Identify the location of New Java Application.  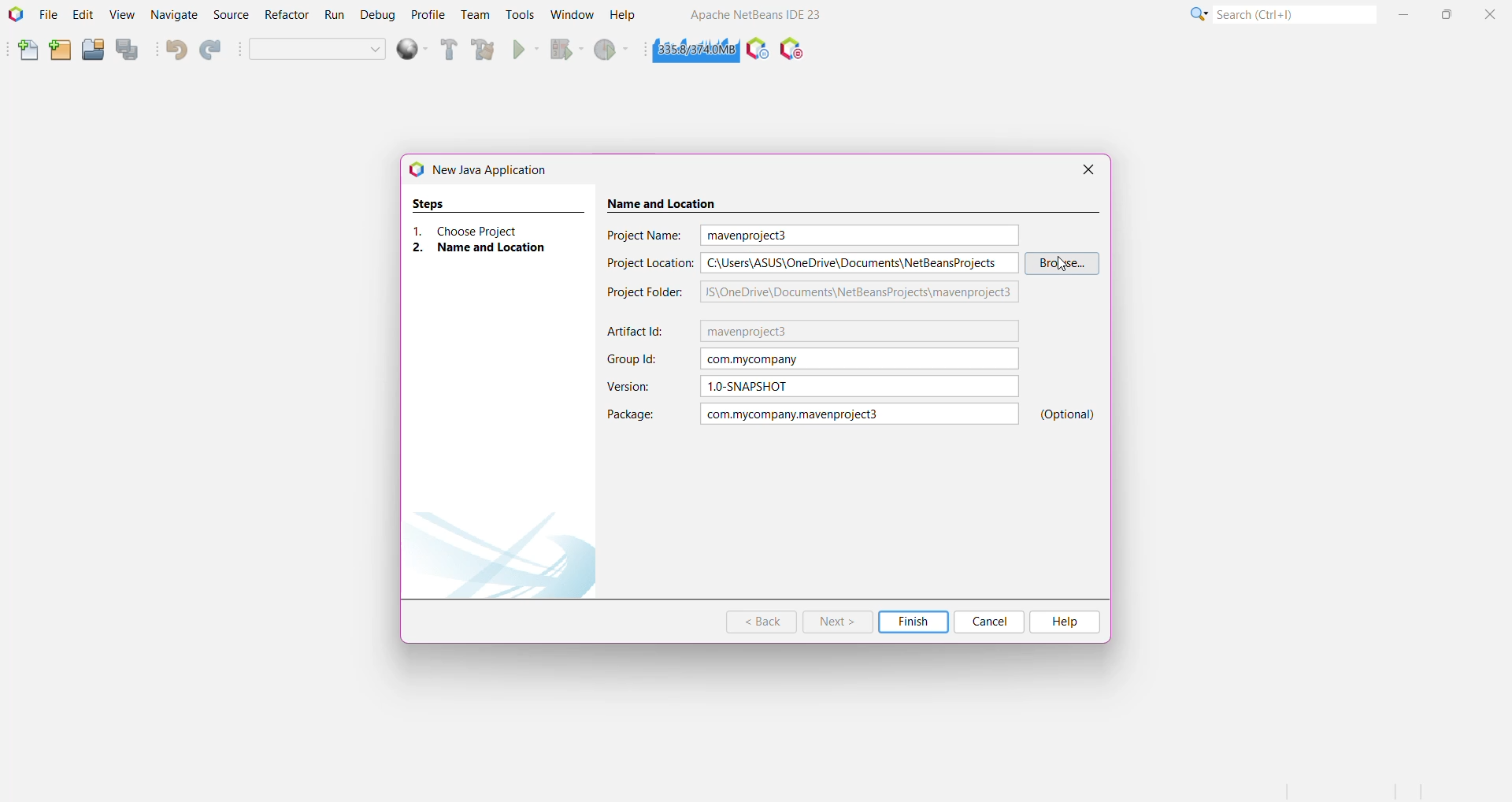
(488, 169).